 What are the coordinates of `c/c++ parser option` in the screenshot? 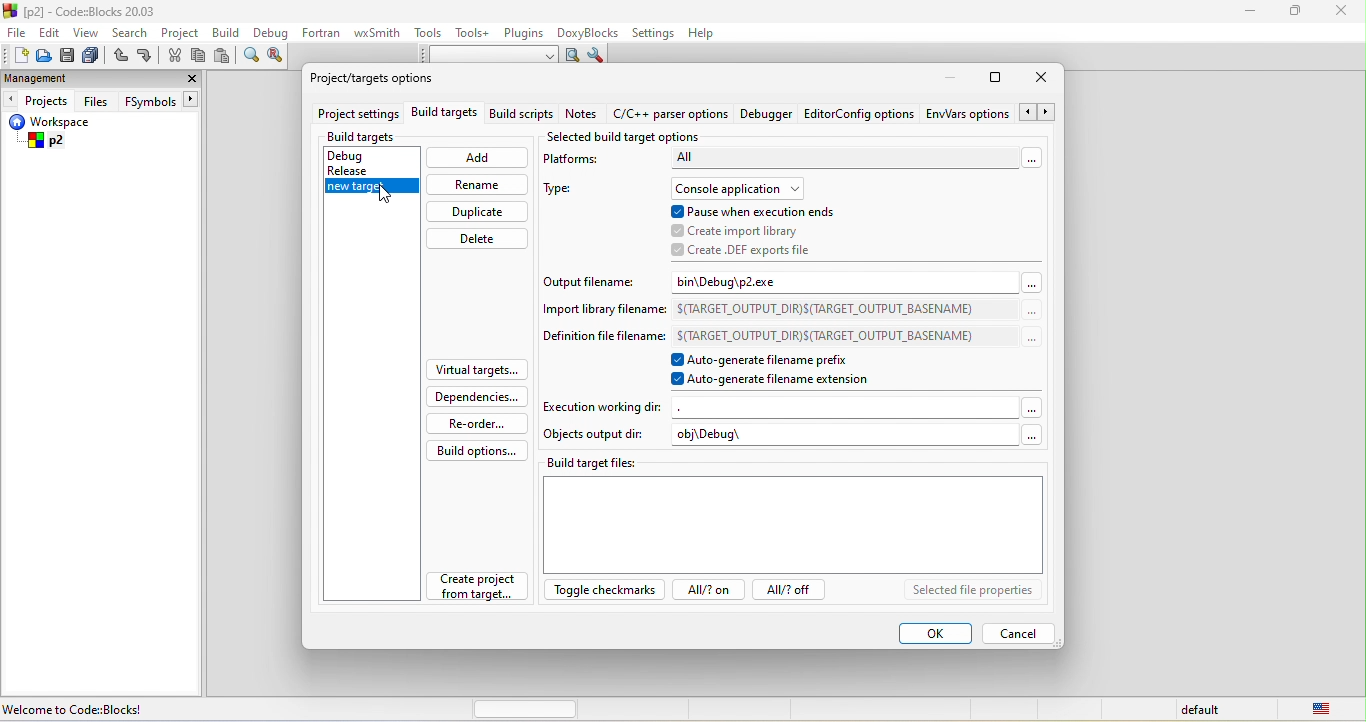 It's located at (670, 115).